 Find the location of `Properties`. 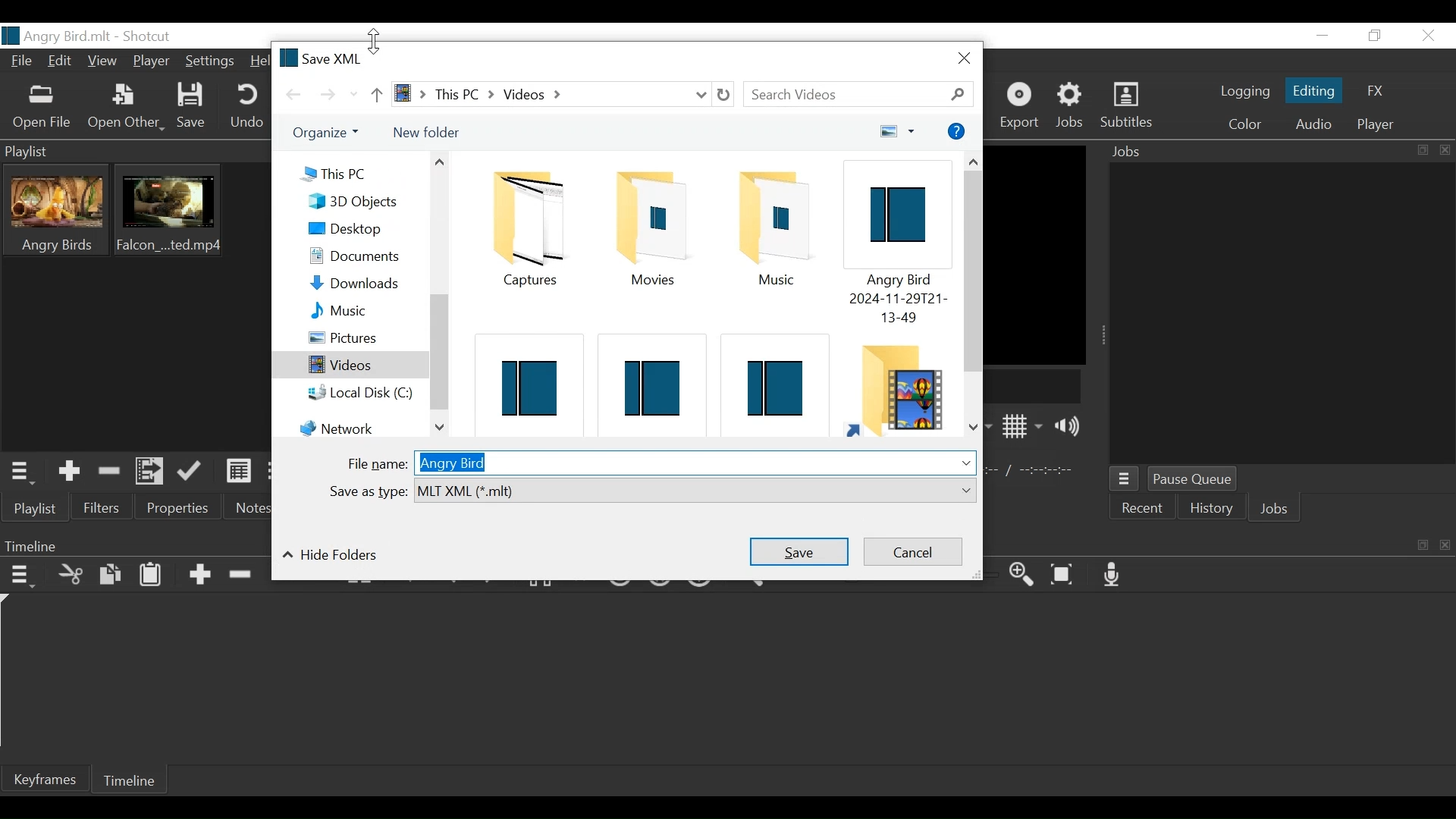

Properties is located at coordinates (178, 510).